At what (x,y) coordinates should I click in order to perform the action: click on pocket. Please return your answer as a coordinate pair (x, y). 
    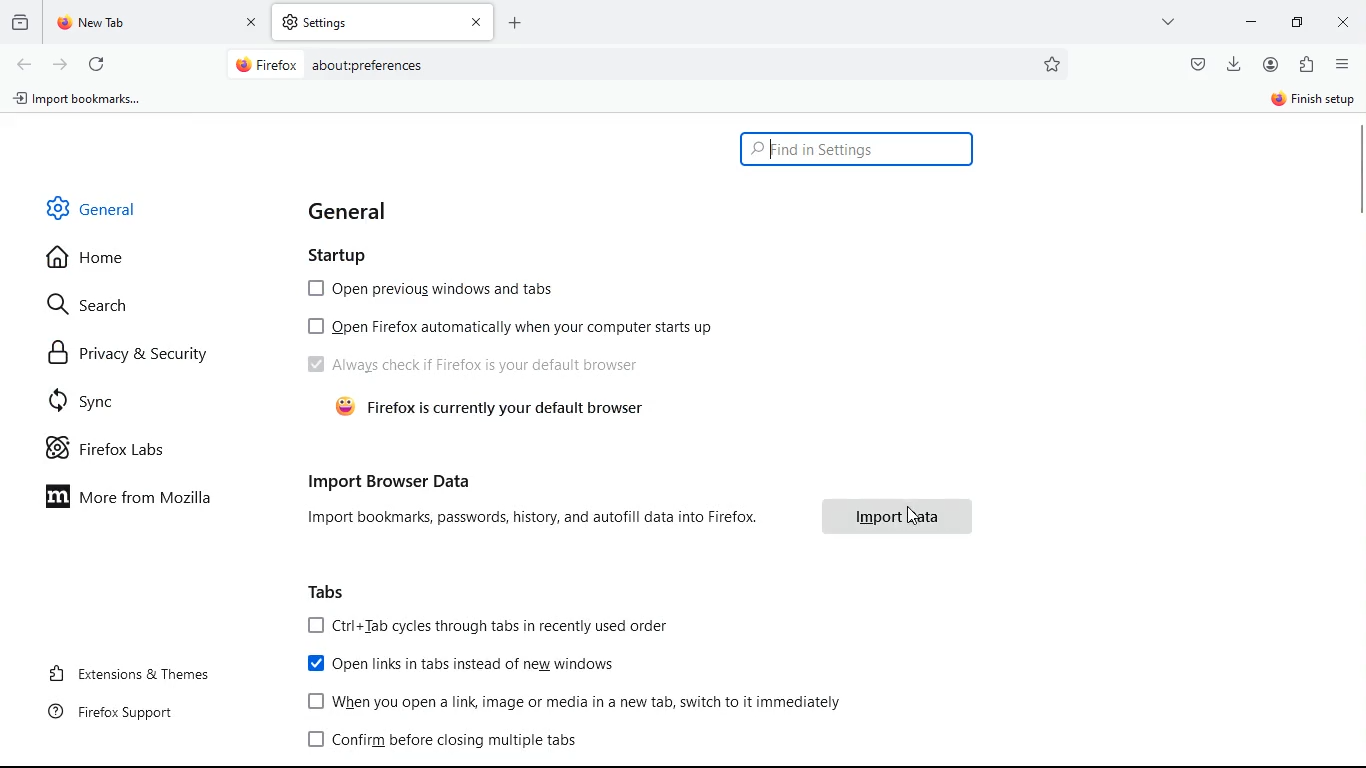
    Looking at the image, I should click on (1196, 65).